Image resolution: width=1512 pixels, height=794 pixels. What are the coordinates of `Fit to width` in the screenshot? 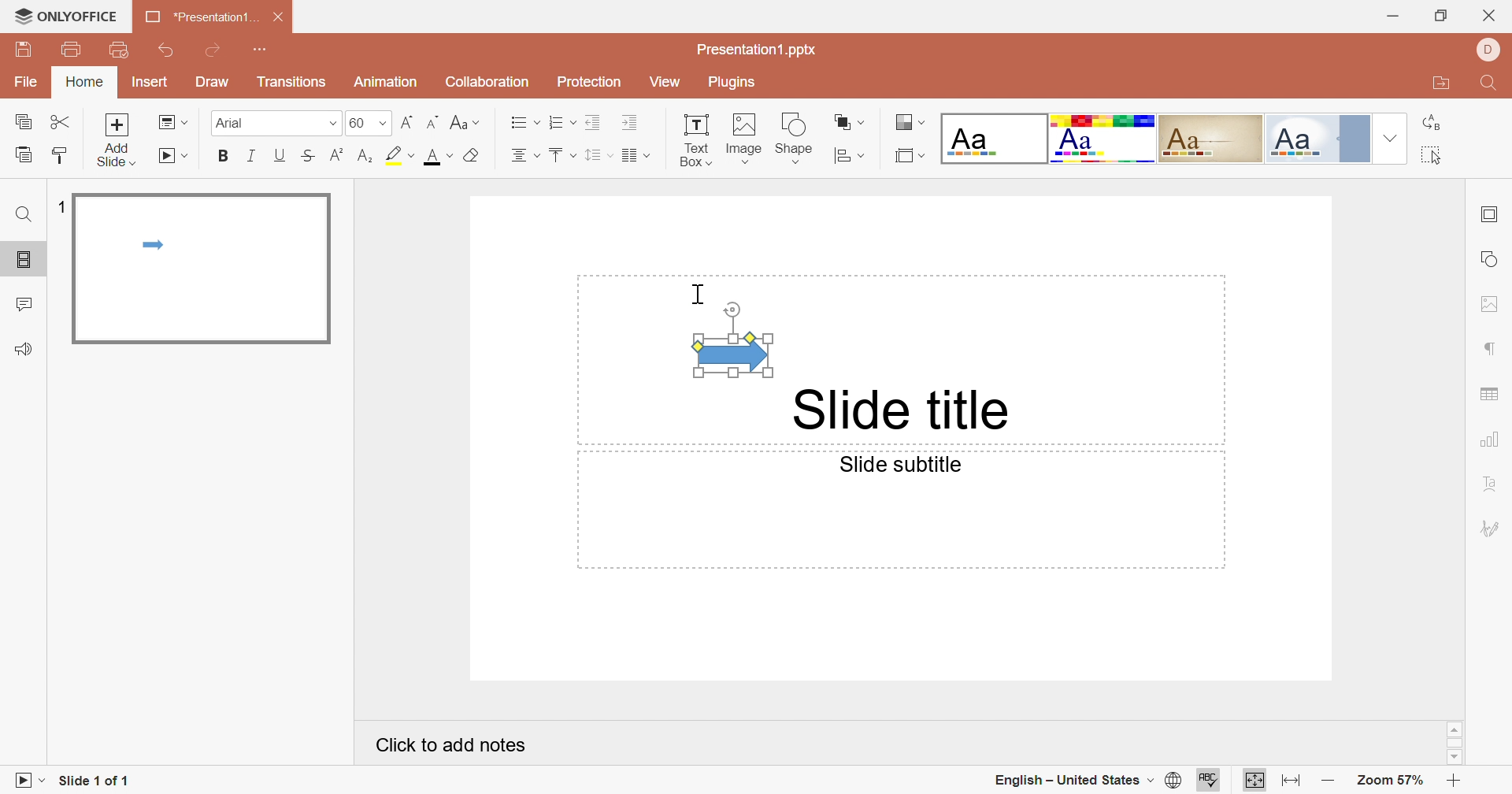 It's located at (1292, 780).